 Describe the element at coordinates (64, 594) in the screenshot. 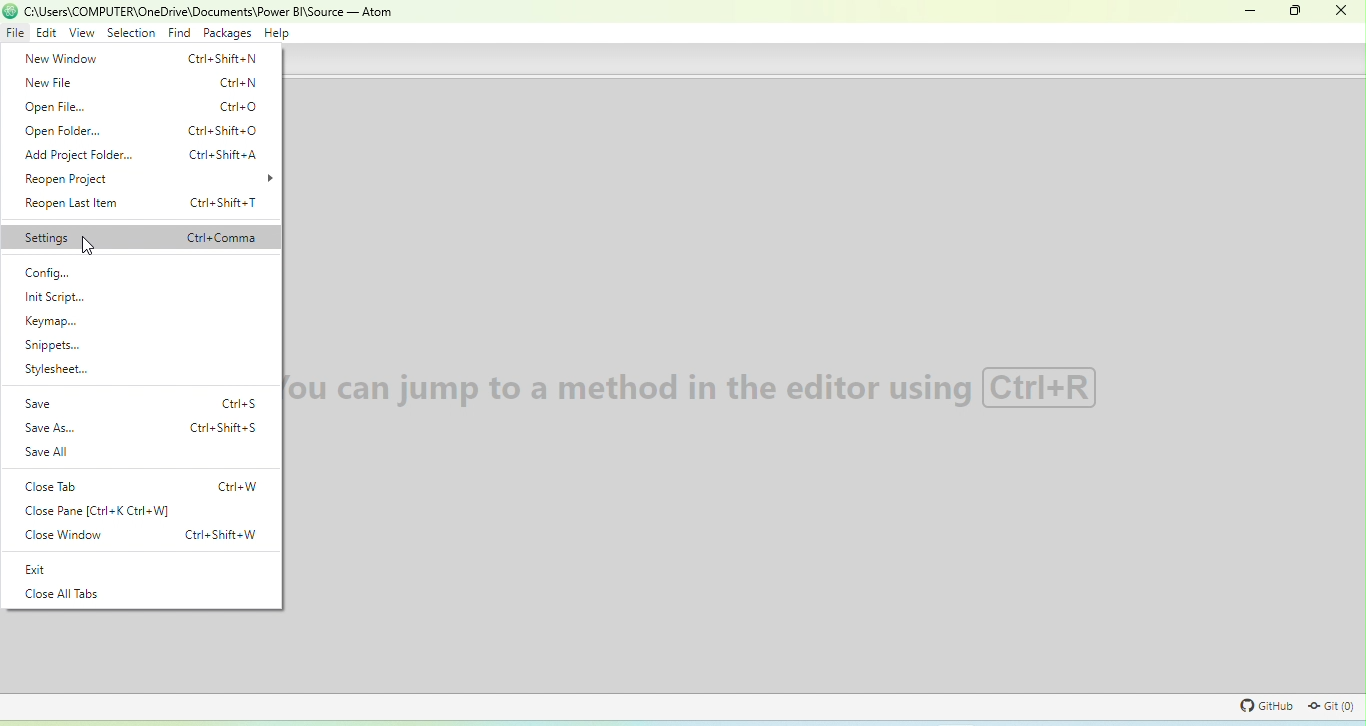

I see `close all tabs` at that location.